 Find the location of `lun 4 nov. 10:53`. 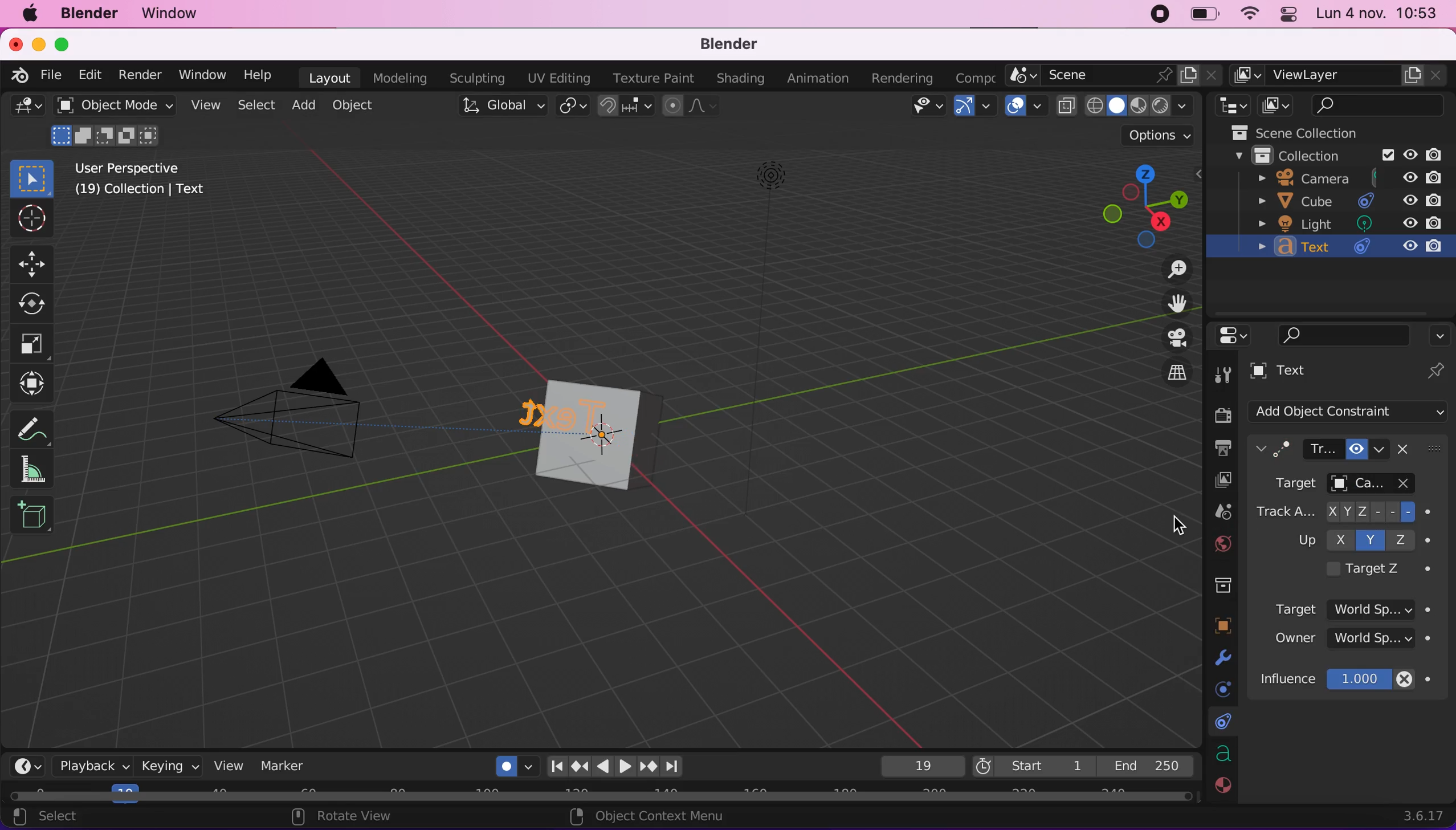

lun 4 nov. 10:53 is located at coordinates (1378, 15).